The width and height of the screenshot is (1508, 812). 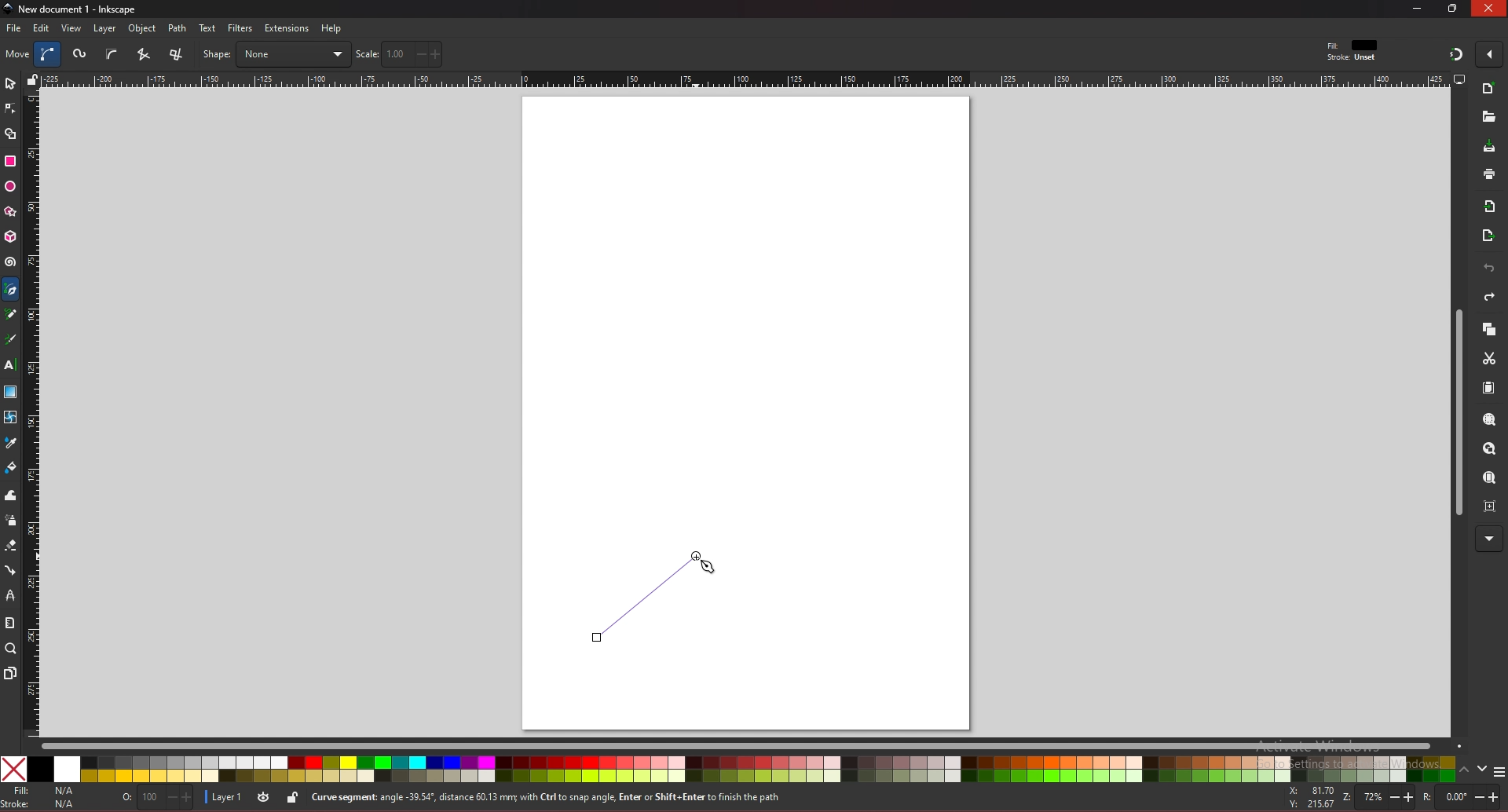 I want to click on text, so click(x=207, y=28).